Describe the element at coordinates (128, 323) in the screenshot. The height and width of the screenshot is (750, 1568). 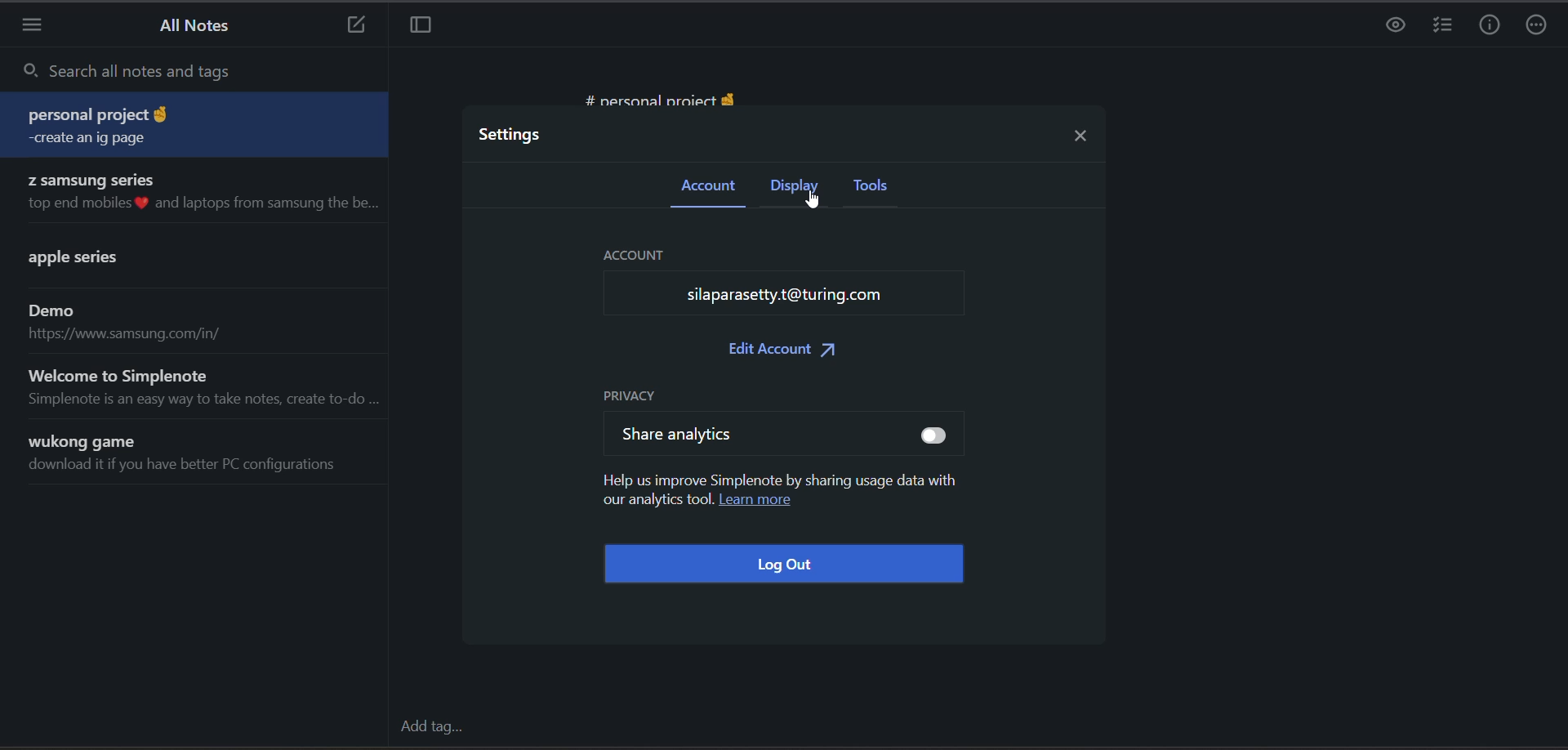
I see `note title and preview` at that location.